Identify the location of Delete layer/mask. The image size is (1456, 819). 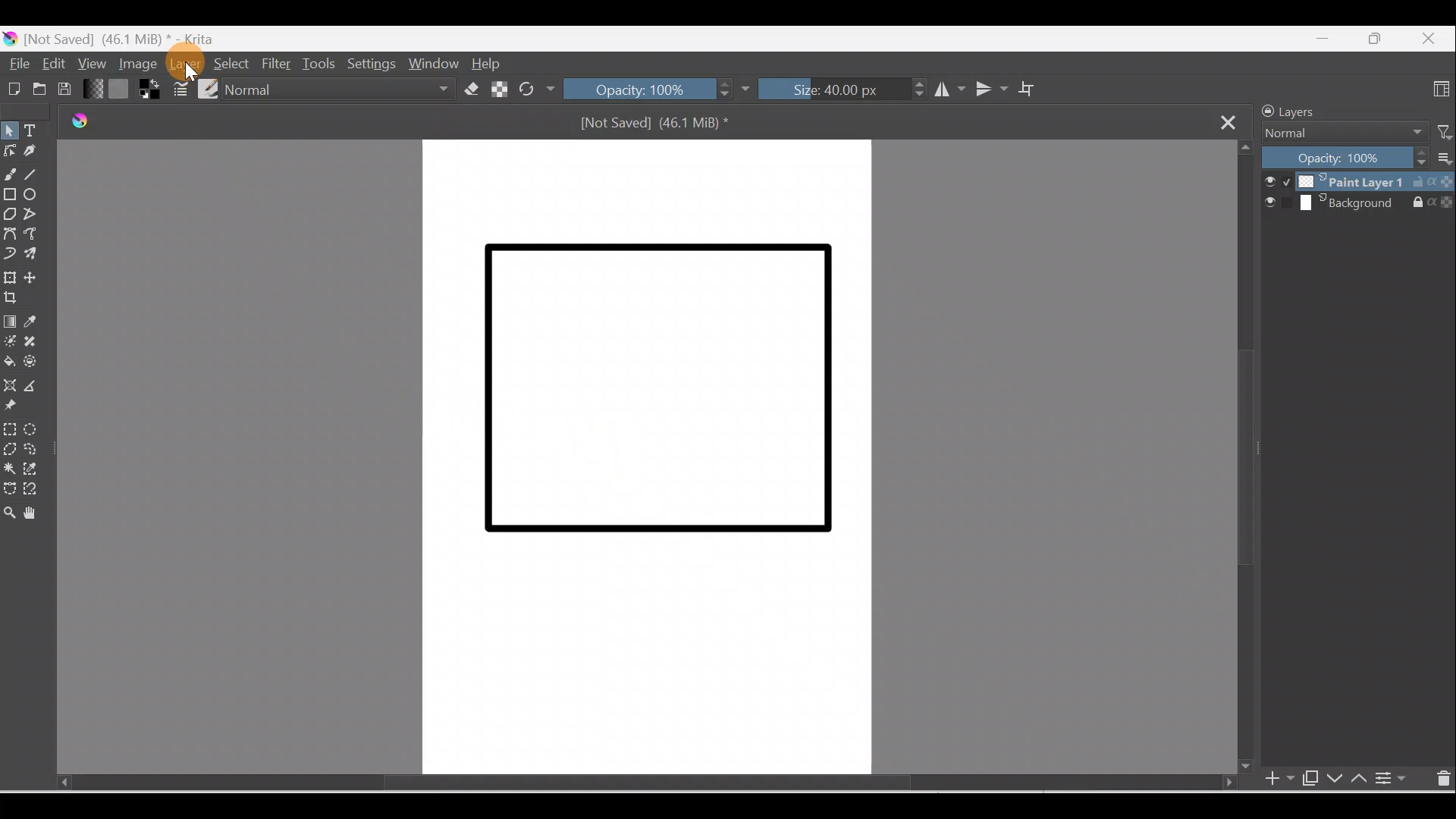
(1442, 780).